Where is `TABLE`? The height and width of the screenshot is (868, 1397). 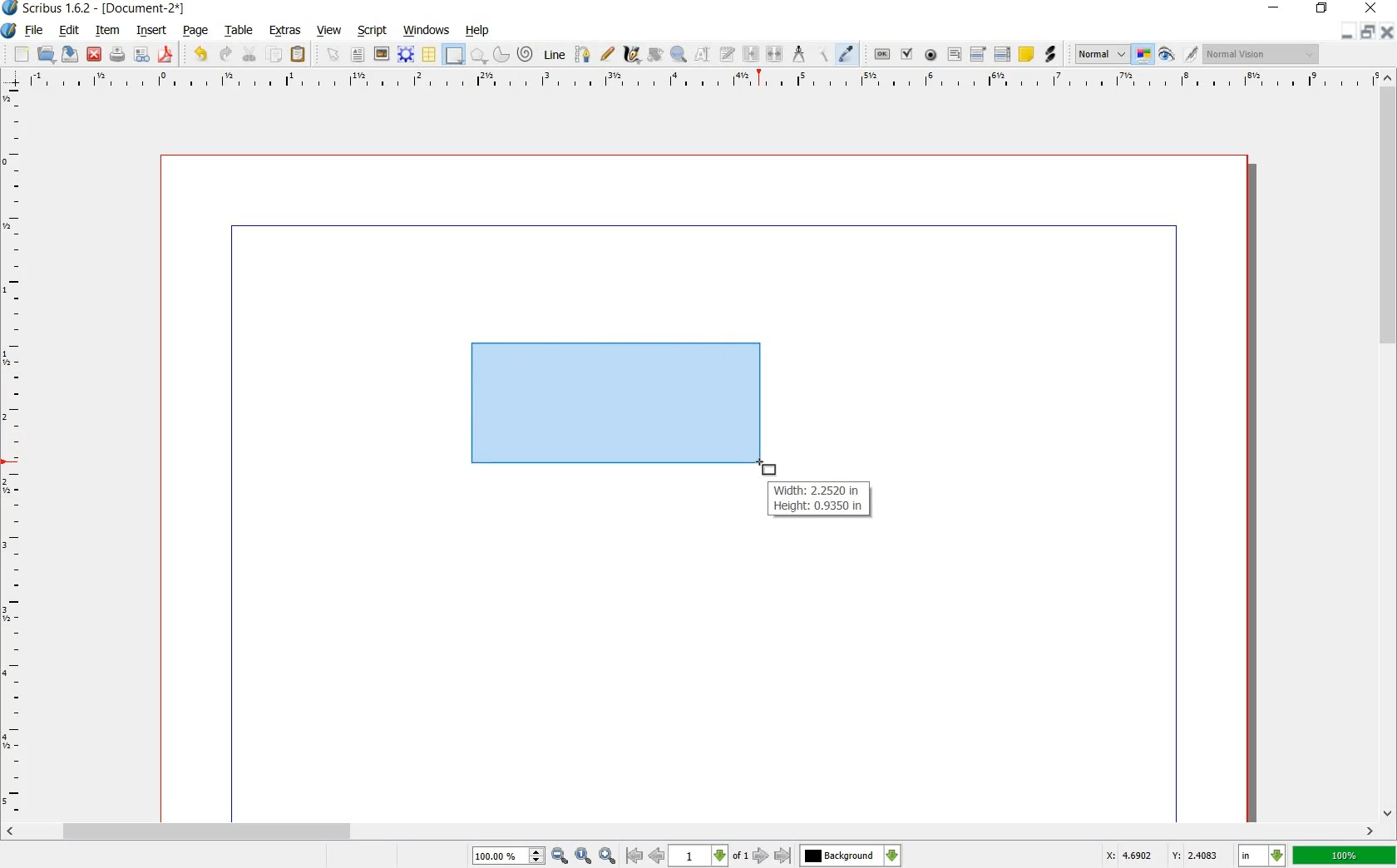
TABLE is located at coordinates (430, 55).